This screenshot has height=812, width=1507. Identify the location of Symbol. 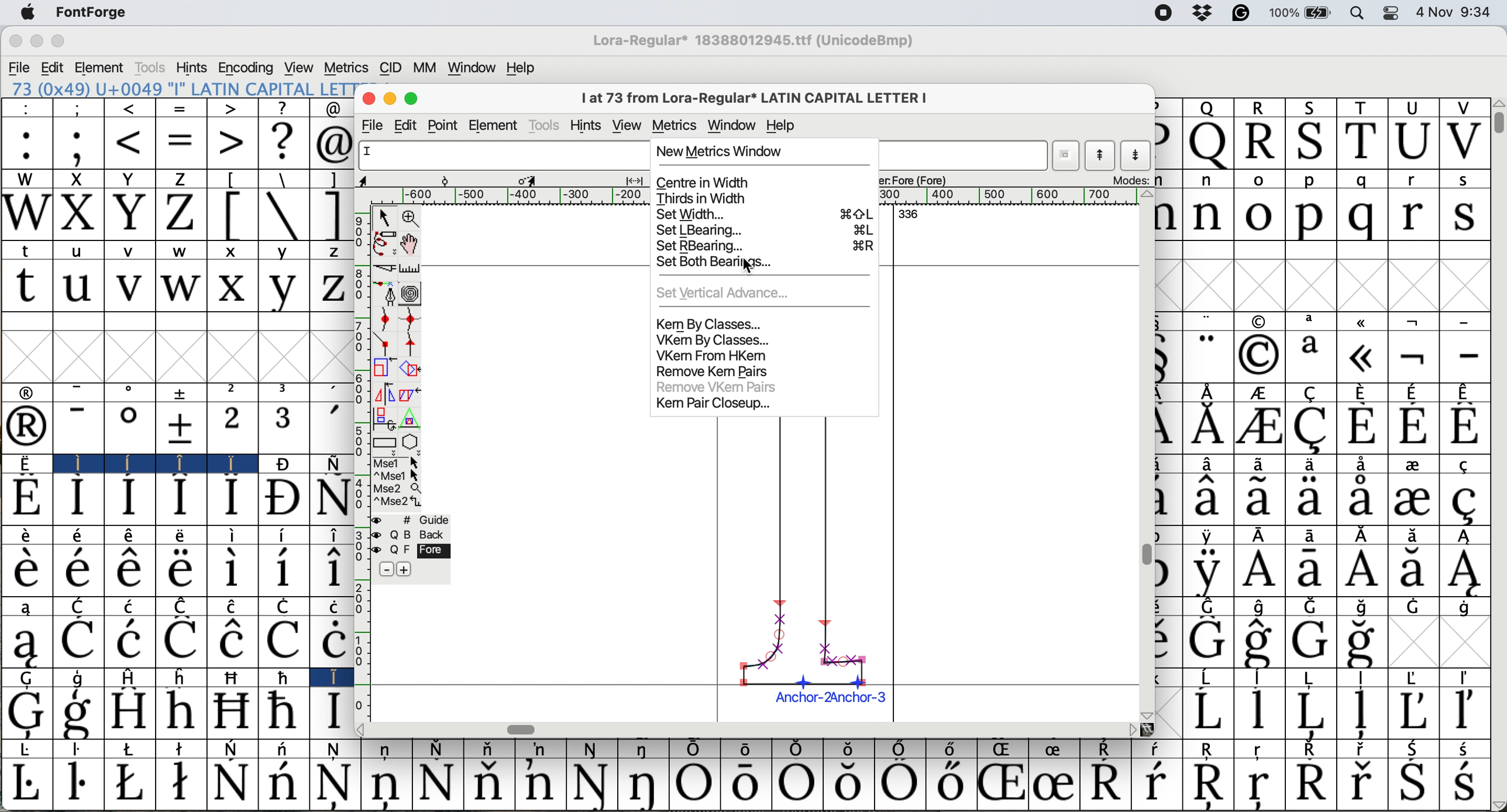
(1465, 502).